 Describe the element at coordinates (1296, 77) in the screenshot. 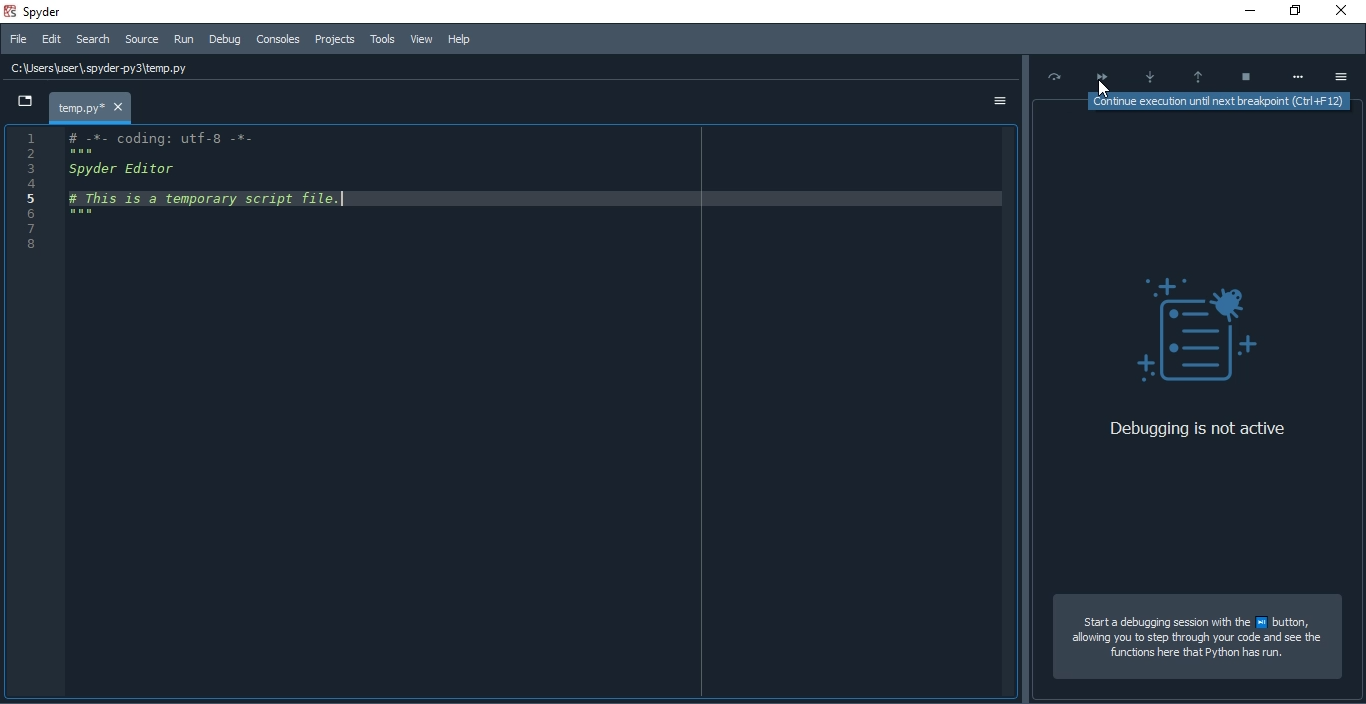

I see `More` at that location.